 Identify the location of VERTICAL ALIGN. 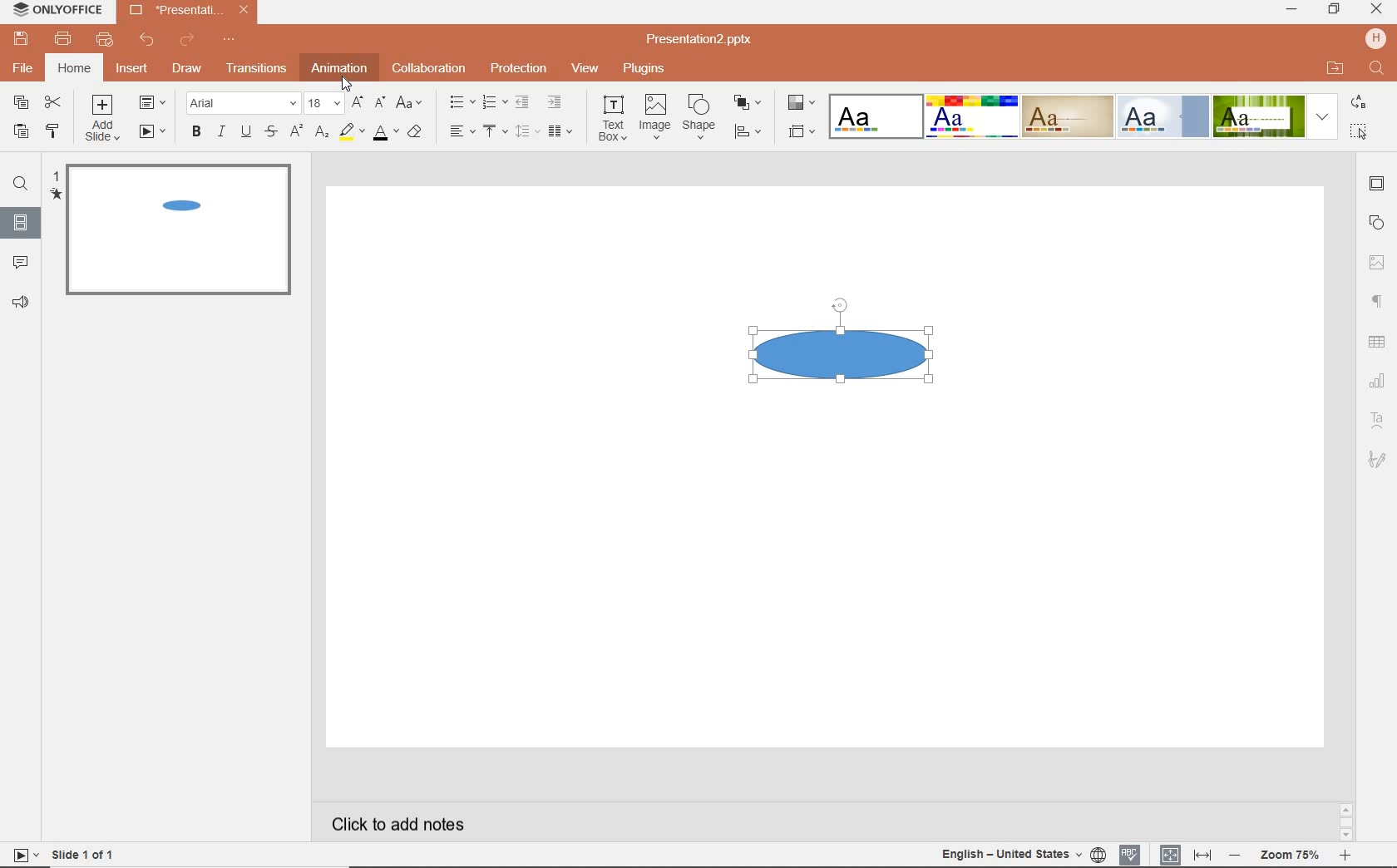
(493, 131).